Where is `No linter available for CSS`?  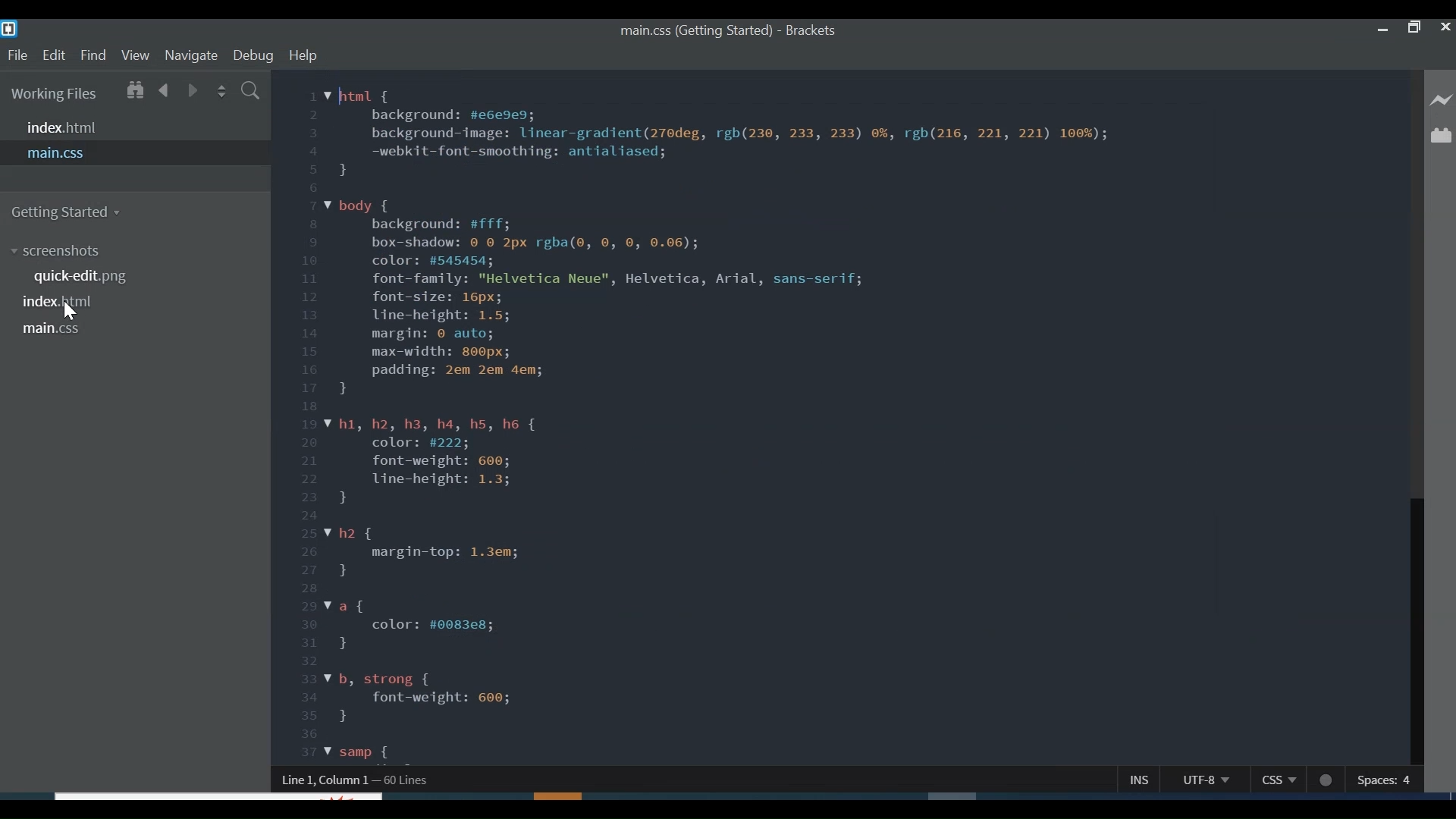
No linter available for CSS is located at coordinates (1330, 780).